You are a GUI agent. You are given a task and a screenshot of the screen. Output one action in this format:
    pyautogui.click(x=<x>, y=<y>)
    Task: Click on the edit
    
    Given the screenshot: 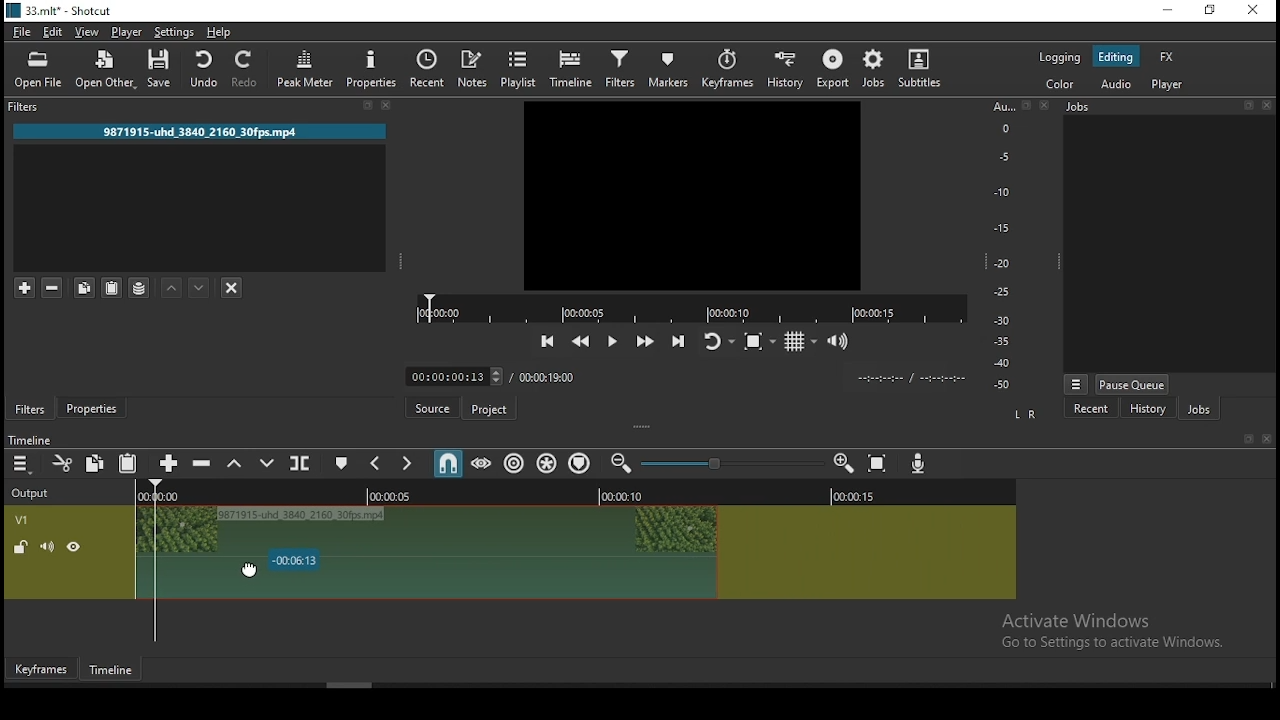 What is the action you would take?
    pyautogui.click(x=54, y=32)
    